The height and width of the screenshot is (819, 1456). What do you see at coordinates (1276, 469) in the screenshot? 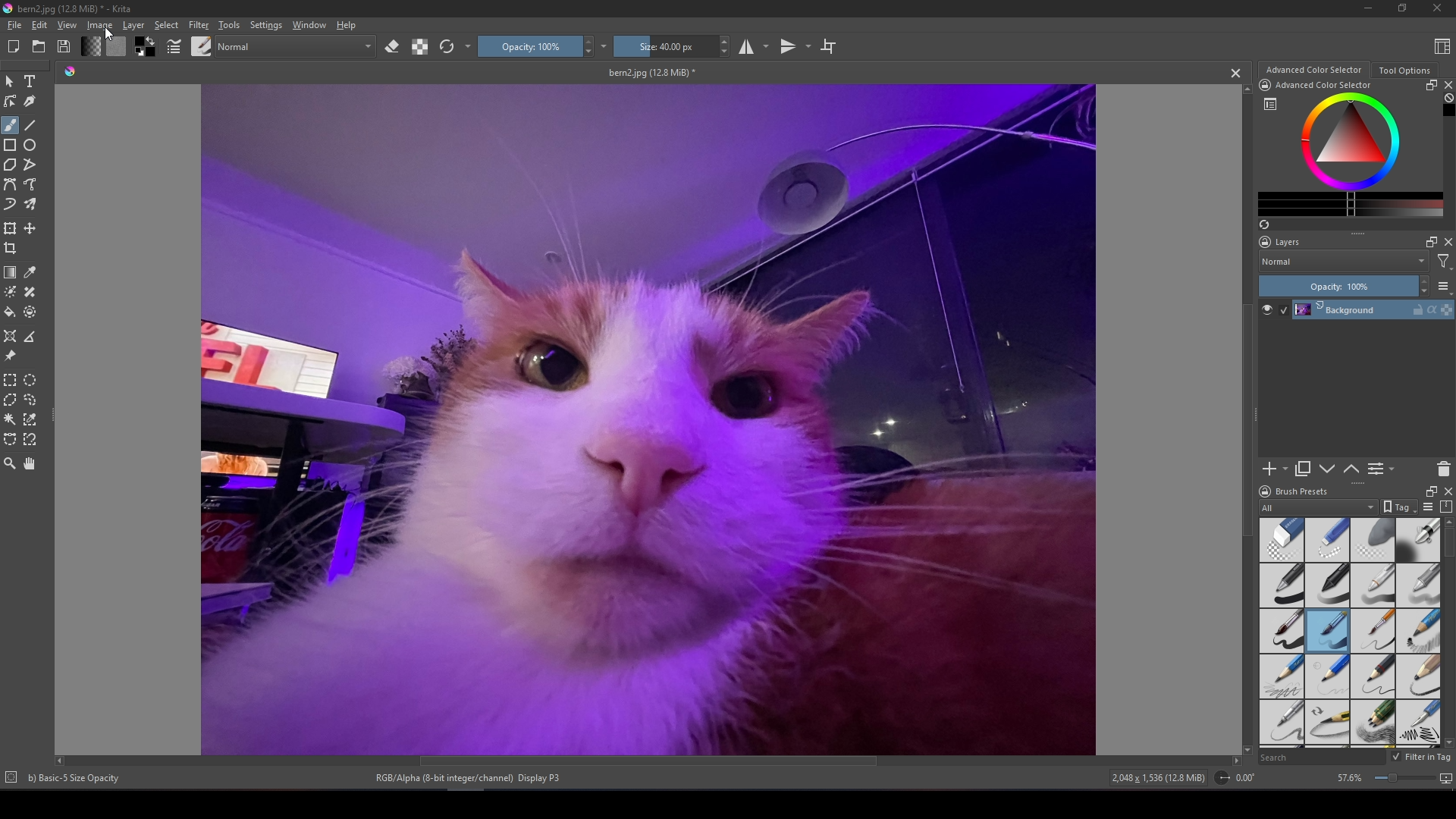
I see `Add layer` at bounding box center [1276, 469].